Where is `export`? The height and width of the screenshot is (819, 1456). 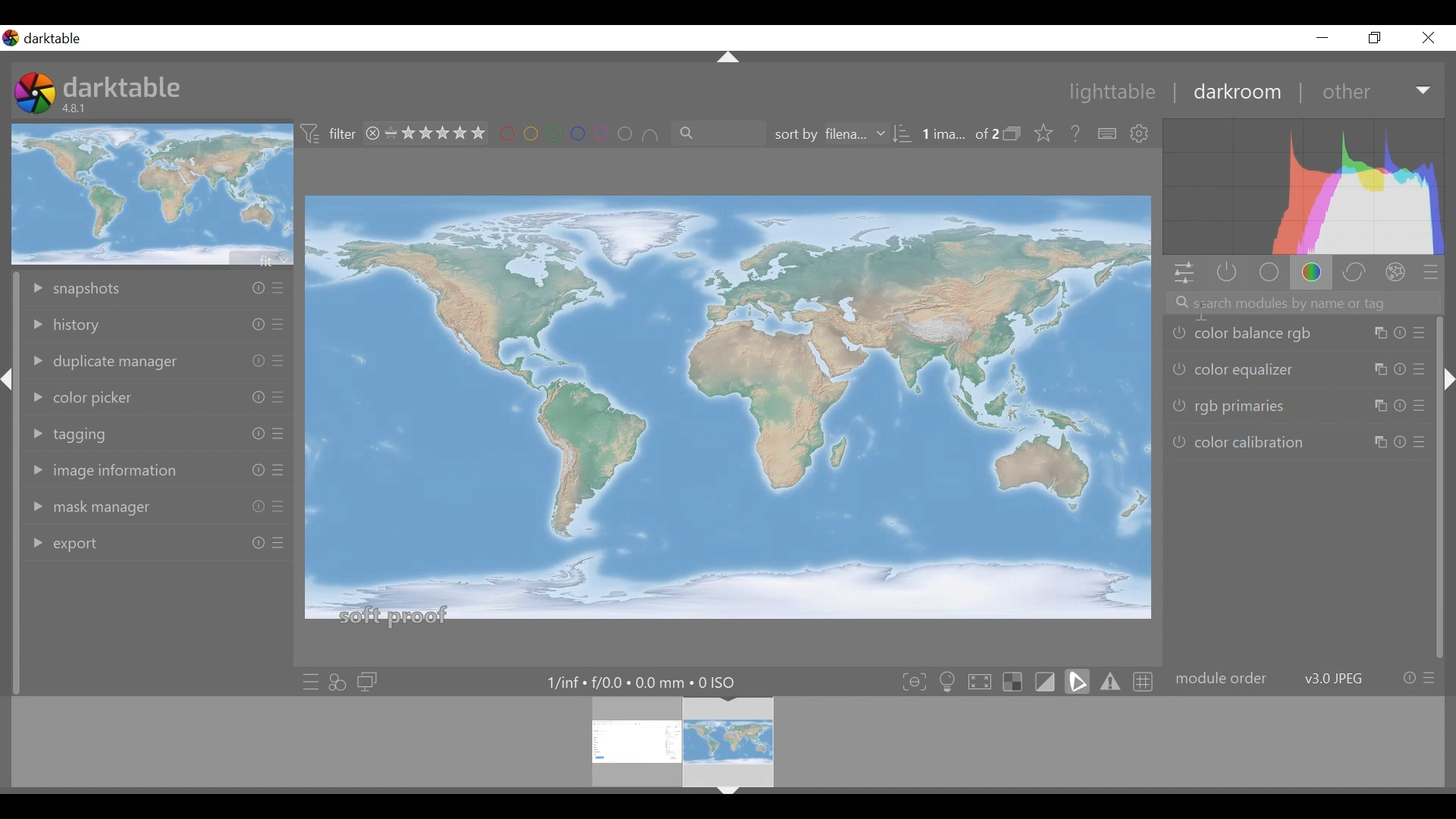
export is located at coordinates (110, 541).